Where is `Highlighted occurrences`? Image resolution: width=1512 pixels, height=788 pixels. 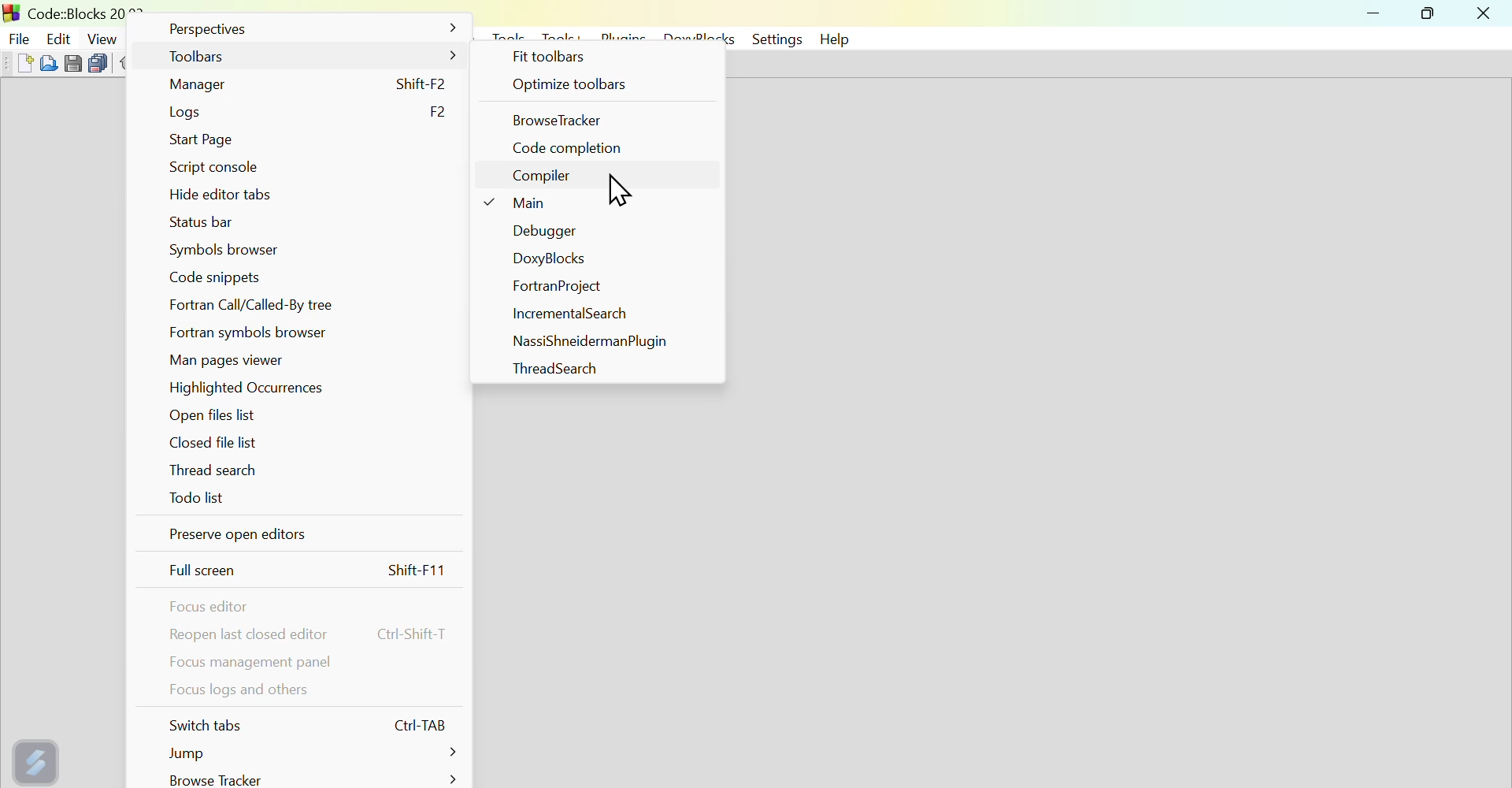
Highlighted occurrences is located at coordinates (260, 389).